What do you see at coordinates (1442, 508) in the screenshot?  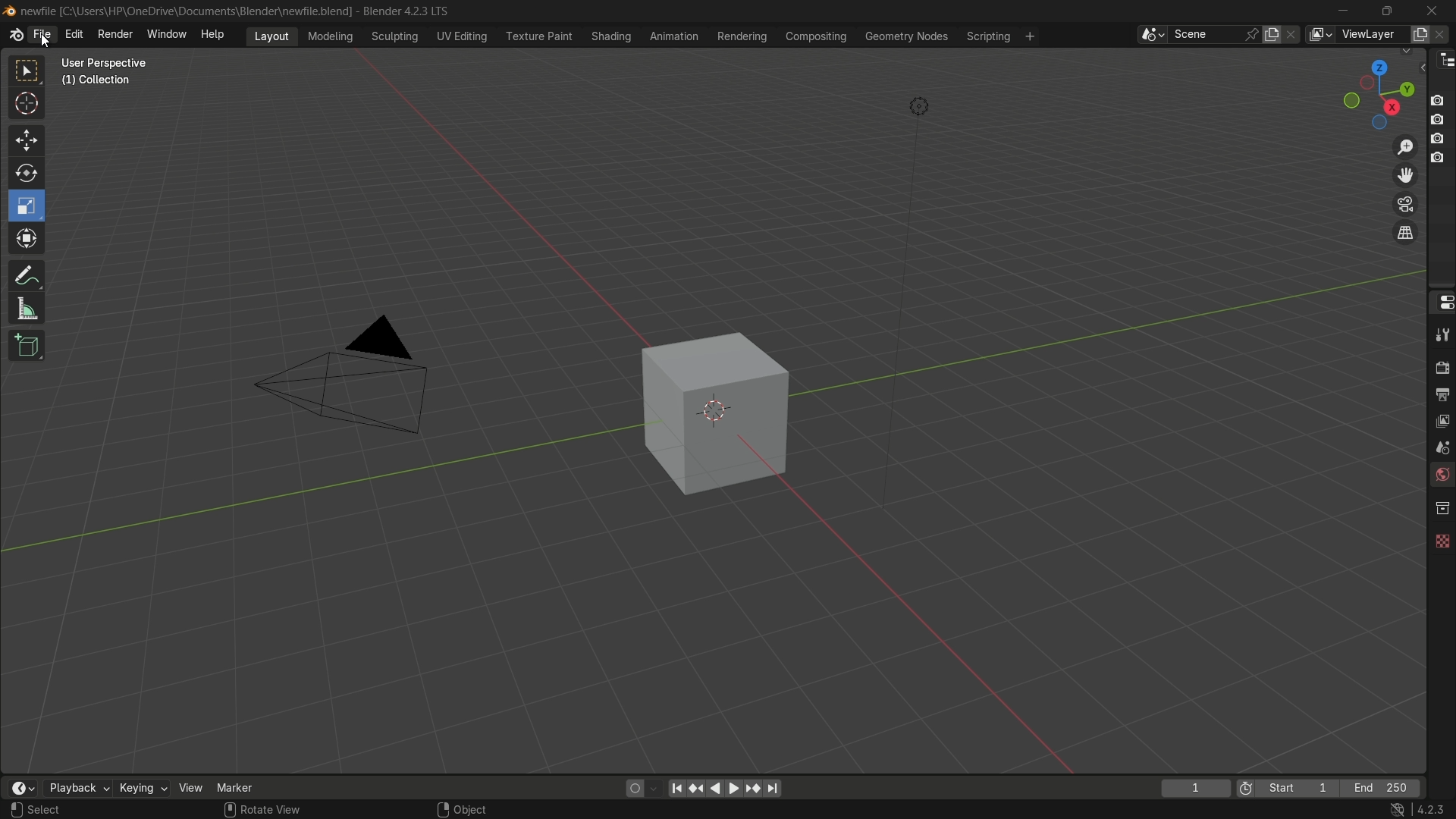 I see `collections` at bounding box center [1442, 508].